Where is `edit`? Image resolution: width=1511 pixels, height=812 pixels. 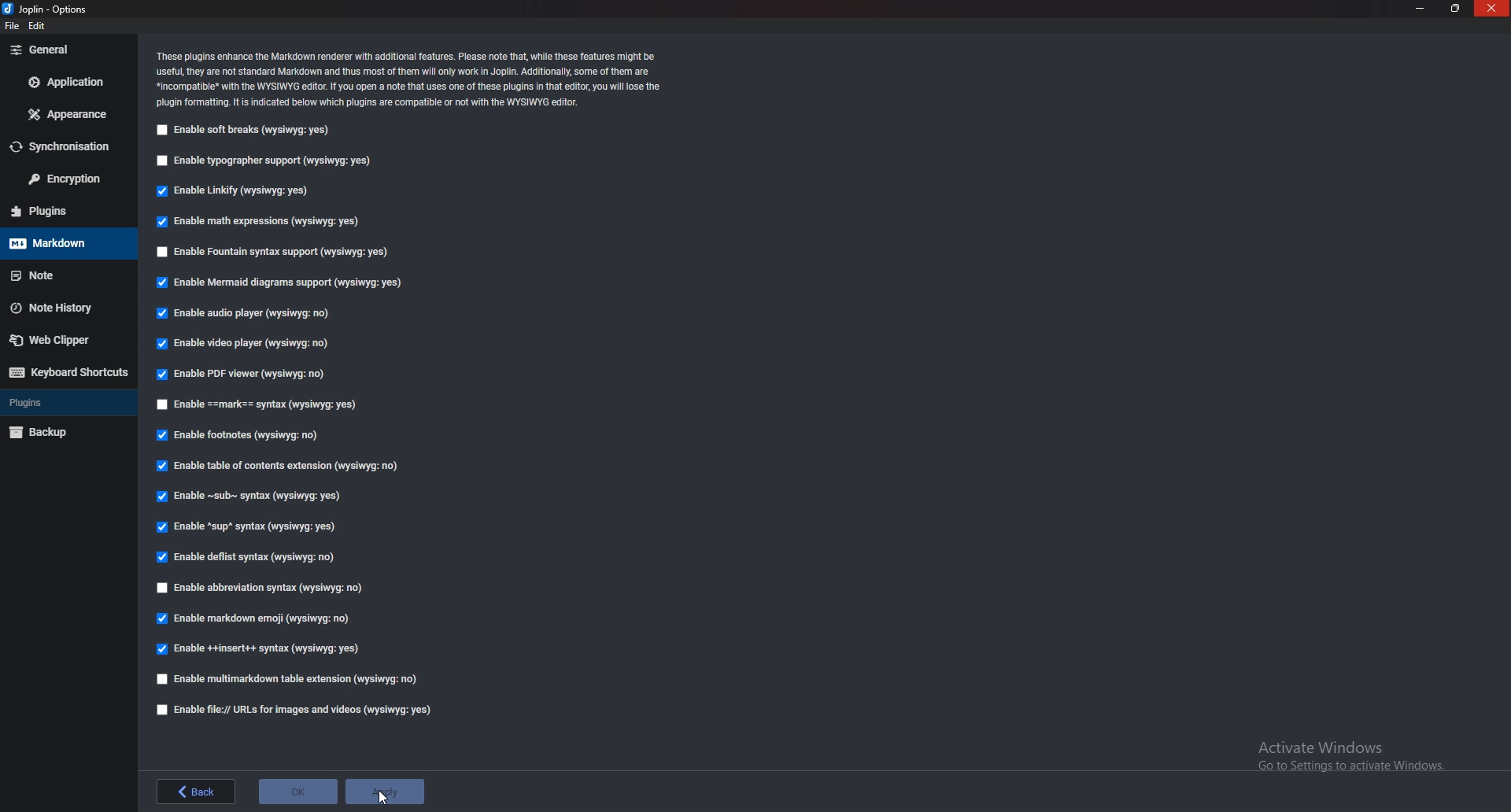 edit is located at coordinates (40, 28).